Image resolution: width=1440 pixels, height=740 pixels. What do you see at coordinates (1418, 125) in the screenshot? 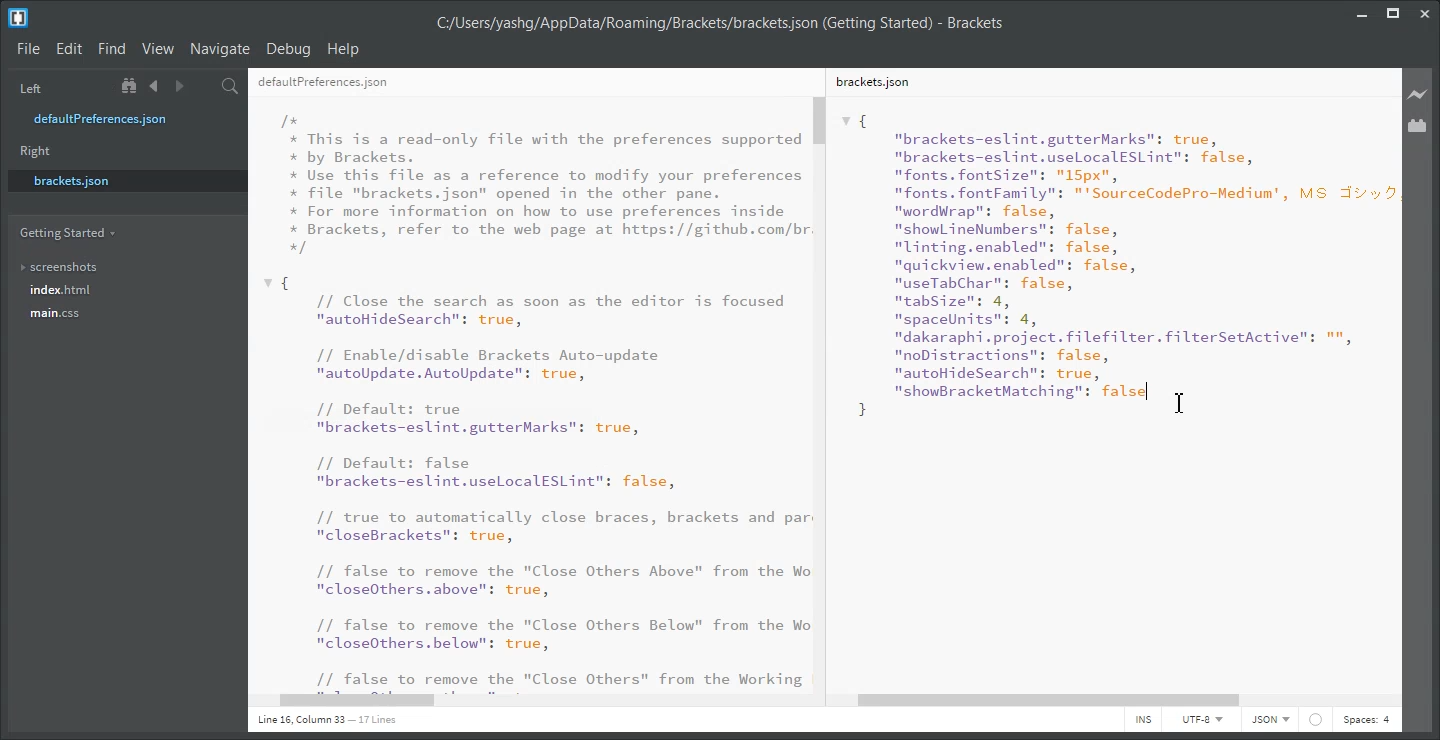
I see `Extension Manager` at bounding box center [1418, 125].